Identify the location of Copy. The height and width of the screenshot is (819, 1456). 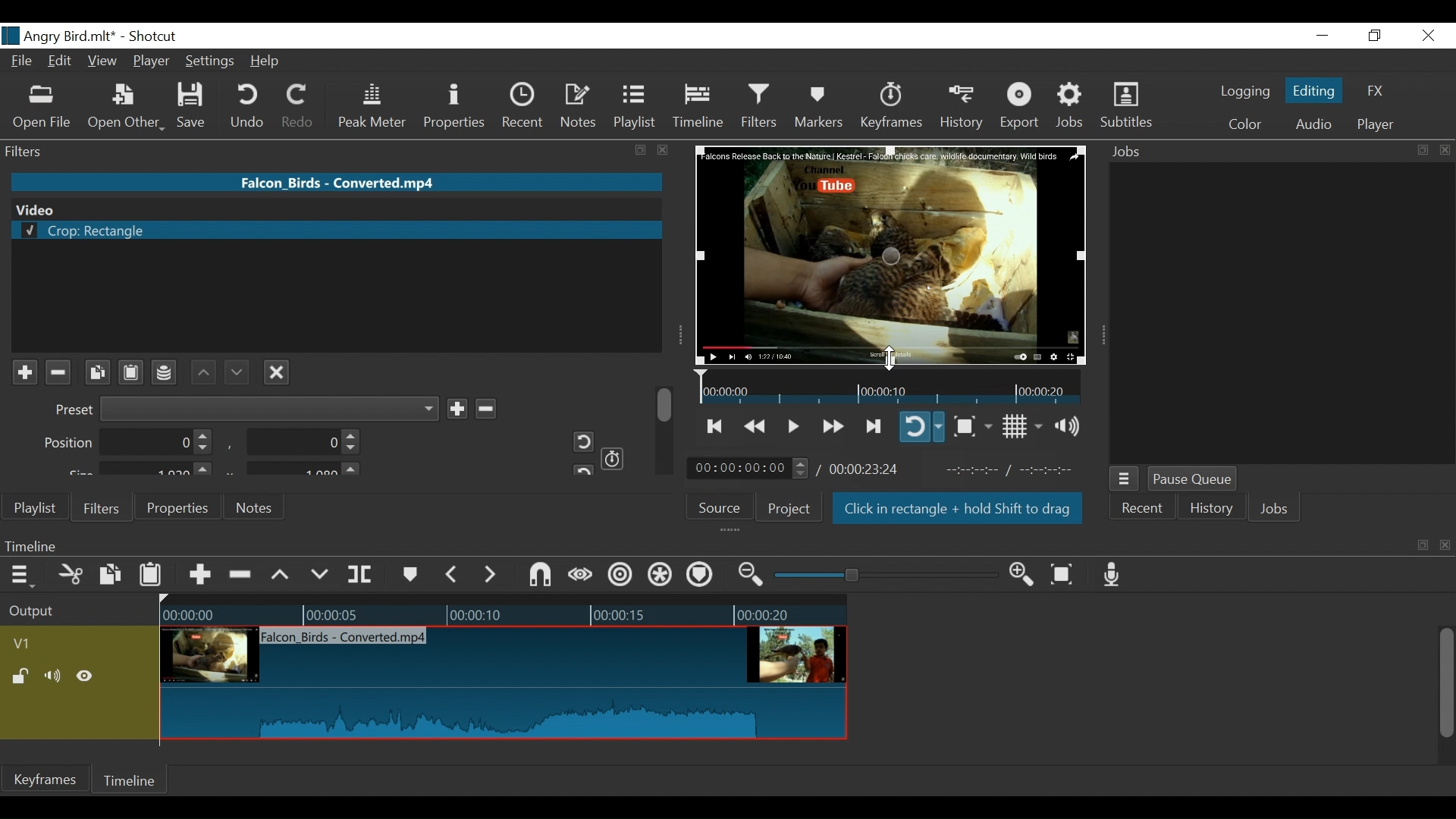
(97, 372).